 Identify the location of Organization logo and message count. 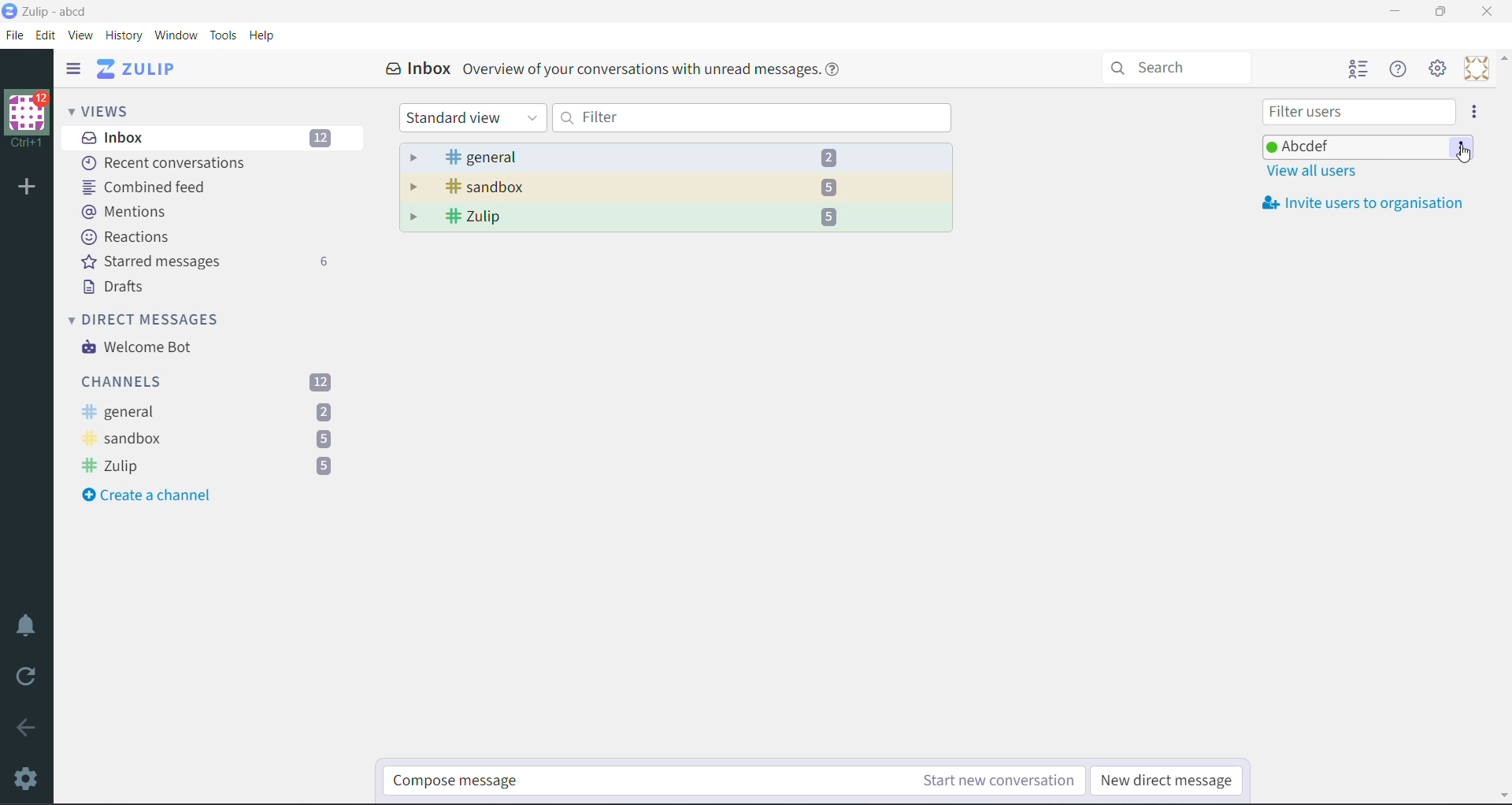
(28, 116).